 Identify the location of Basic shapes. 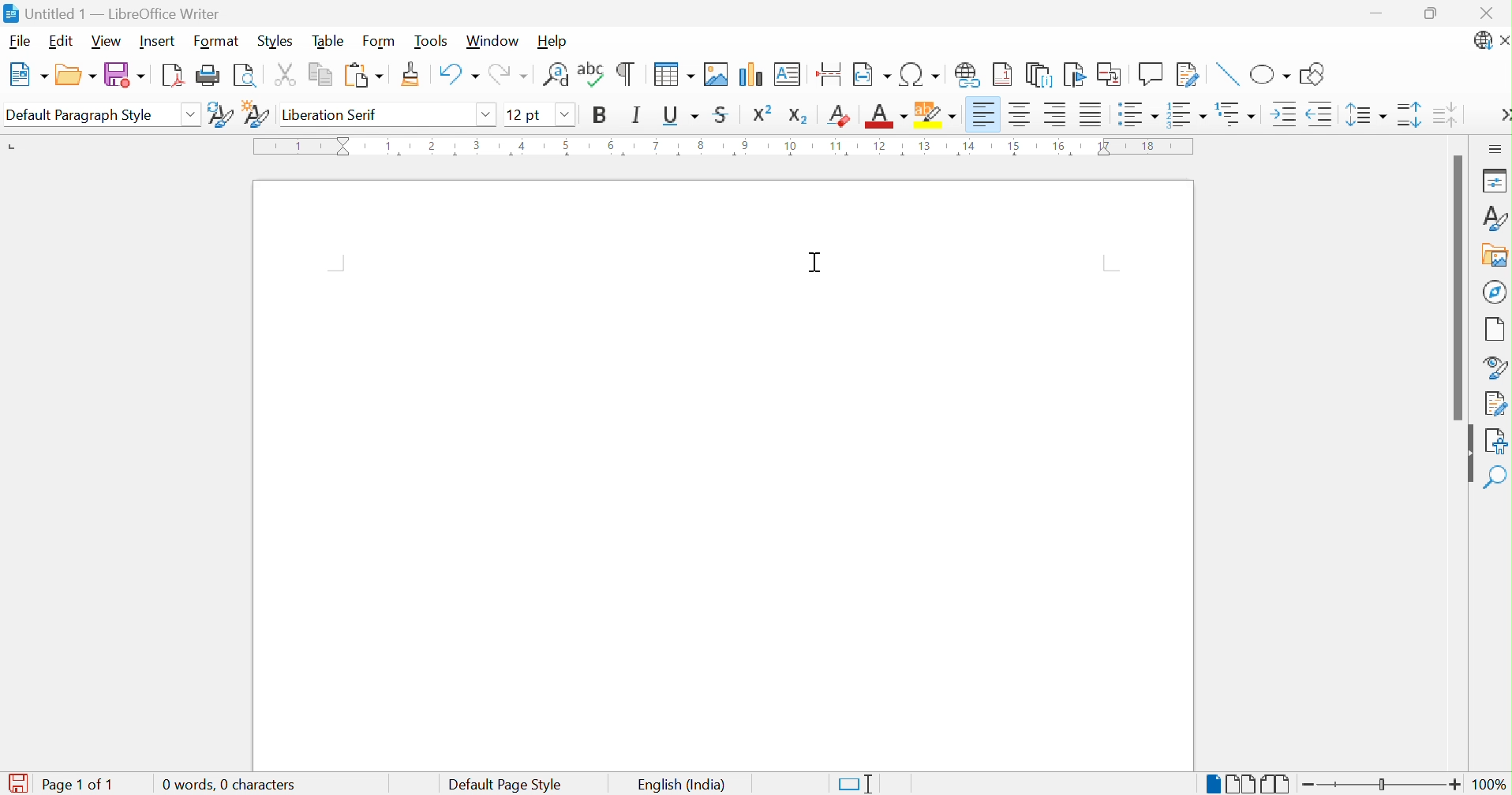
(1271, 76).